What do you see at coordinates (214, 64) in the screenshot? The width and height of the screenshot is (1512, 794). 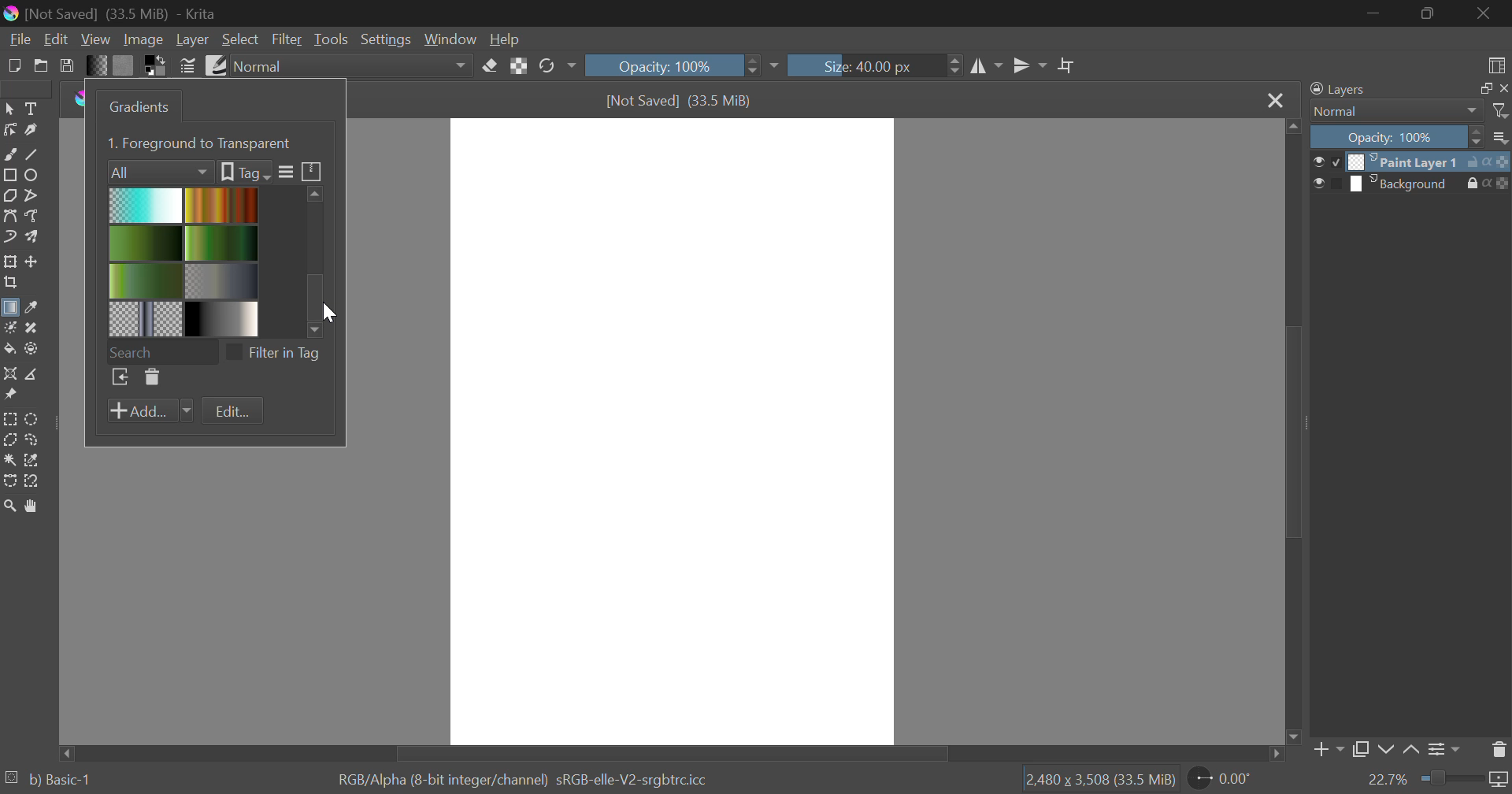 I see `Brush Presets` at bounding box center [214, 64].